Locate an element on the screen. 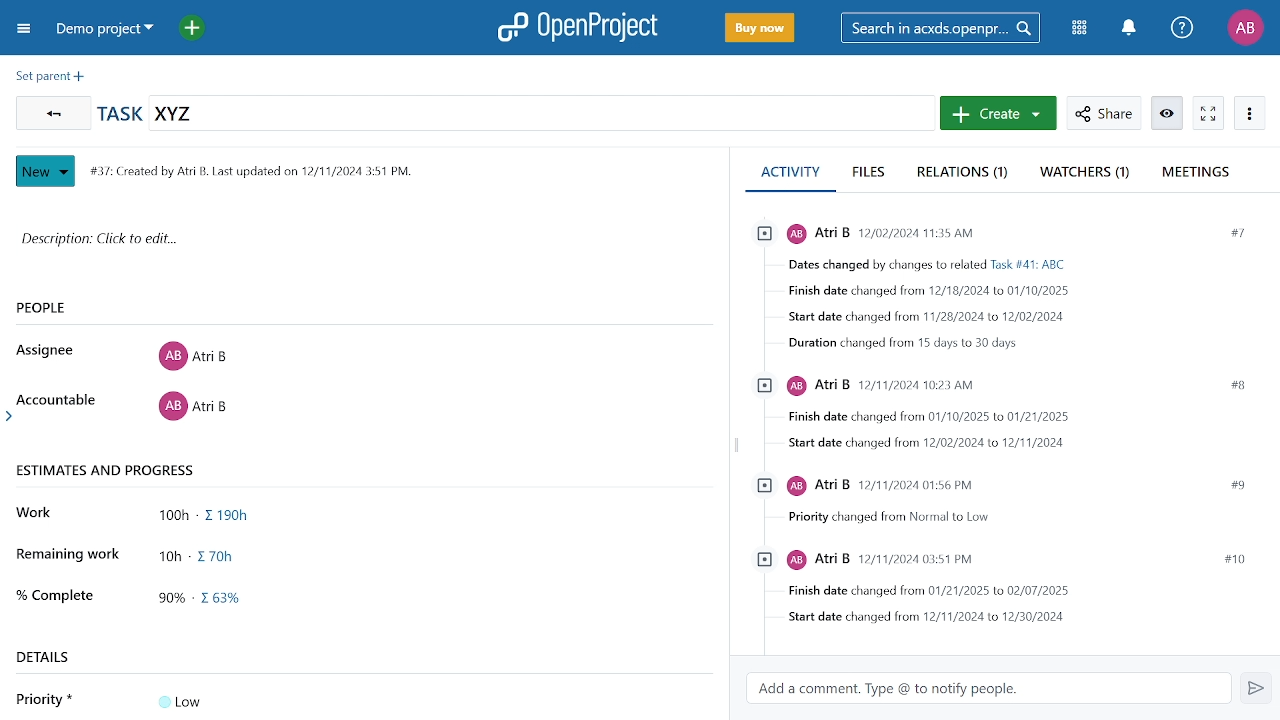 This screenshot has height=720, width=1280. More actions is located at coordinates (1250, 113).